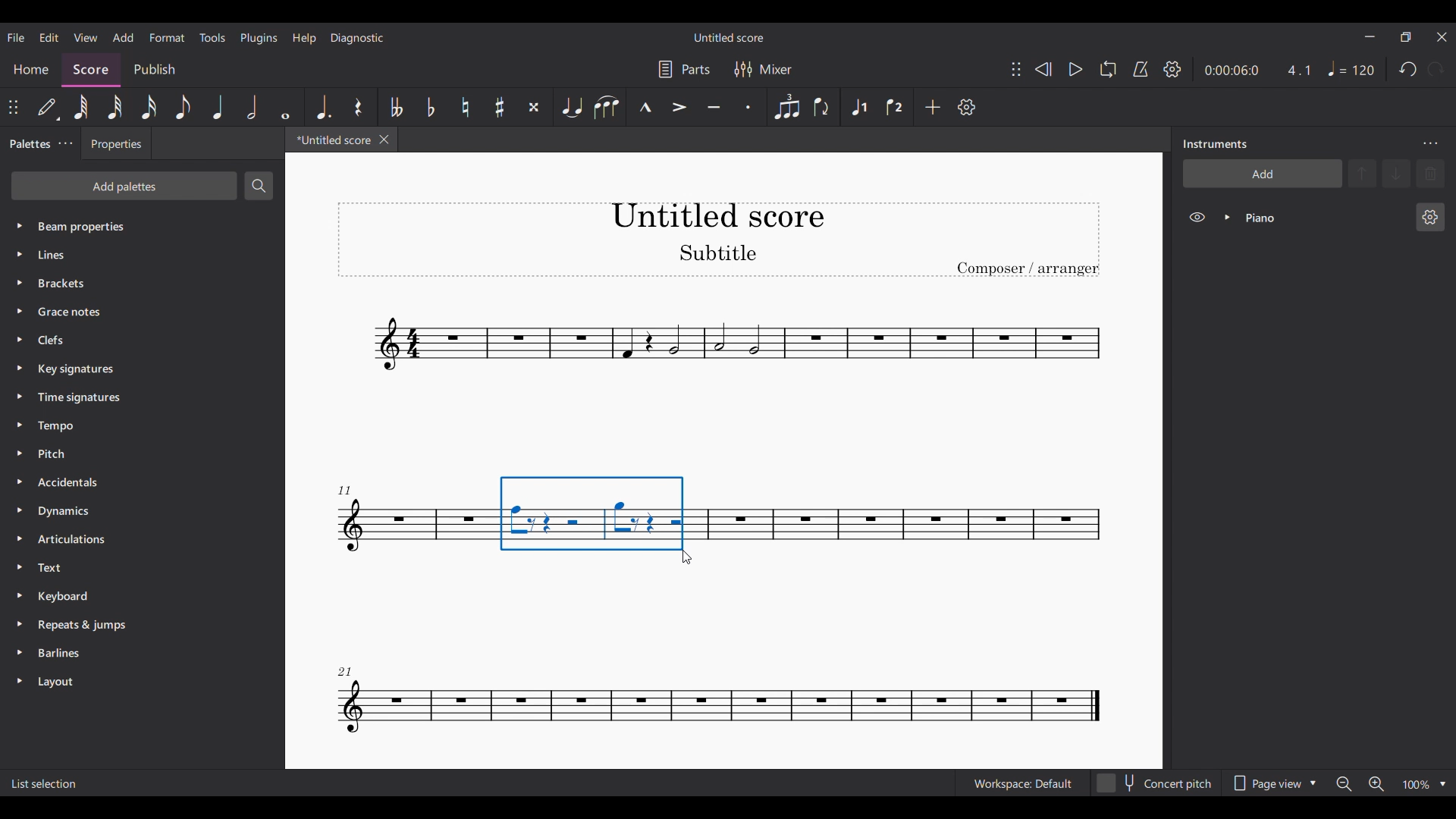 The width and height of the screenshot is (1456, 819). What do you see at coordinates (966, 108) in the screenshot?
I see `Customize toolbar` at bounding box center [966, 108].